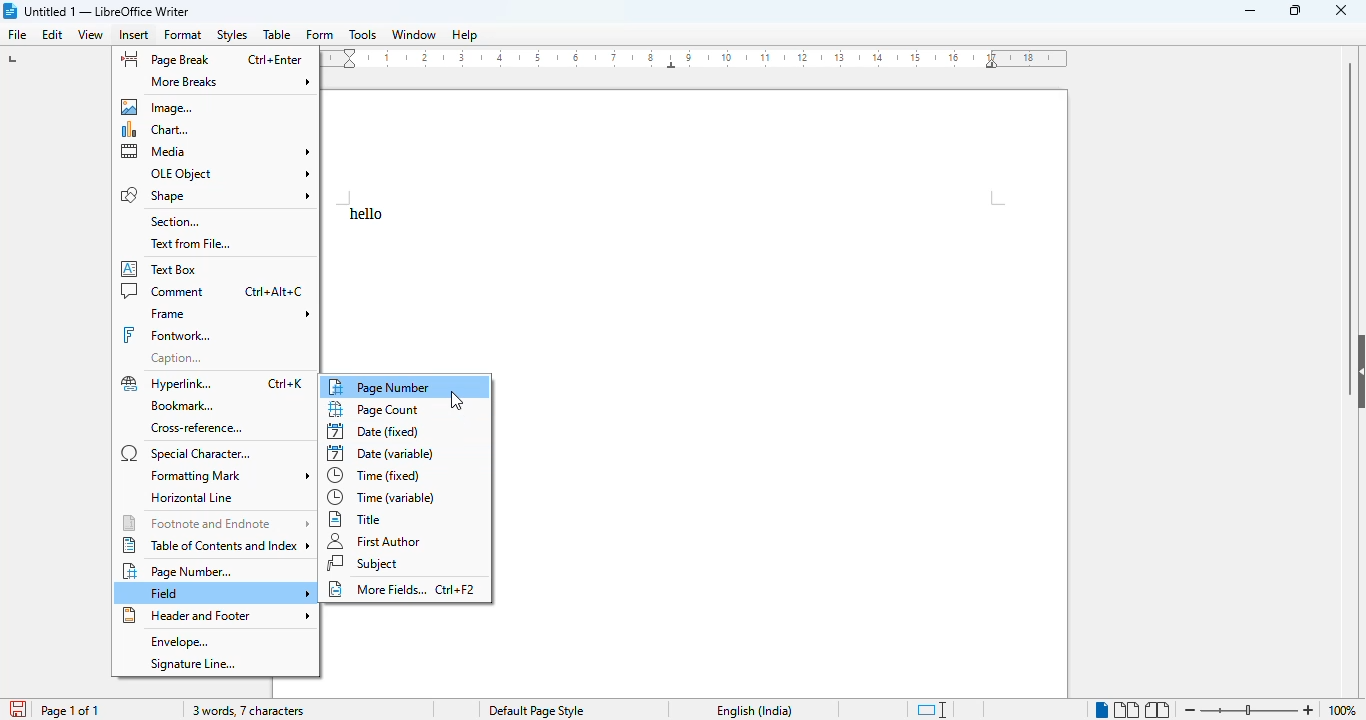 The height and width of the screenshot is (720, 1366). I want to click on show, so click(1357, 371).